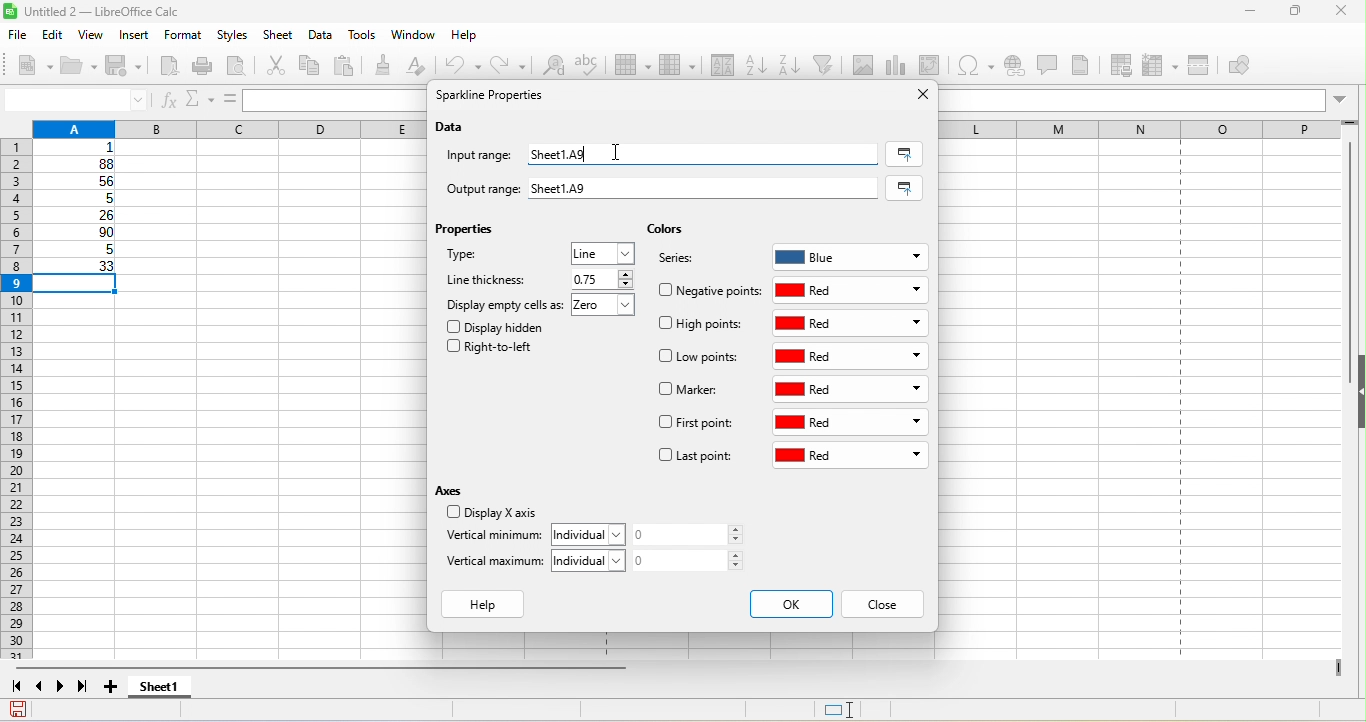 This screenshot has height=722, width=1366. Describe the element at coordinates (707, 189) in the screenshot. I see `sheet a9` at that location.